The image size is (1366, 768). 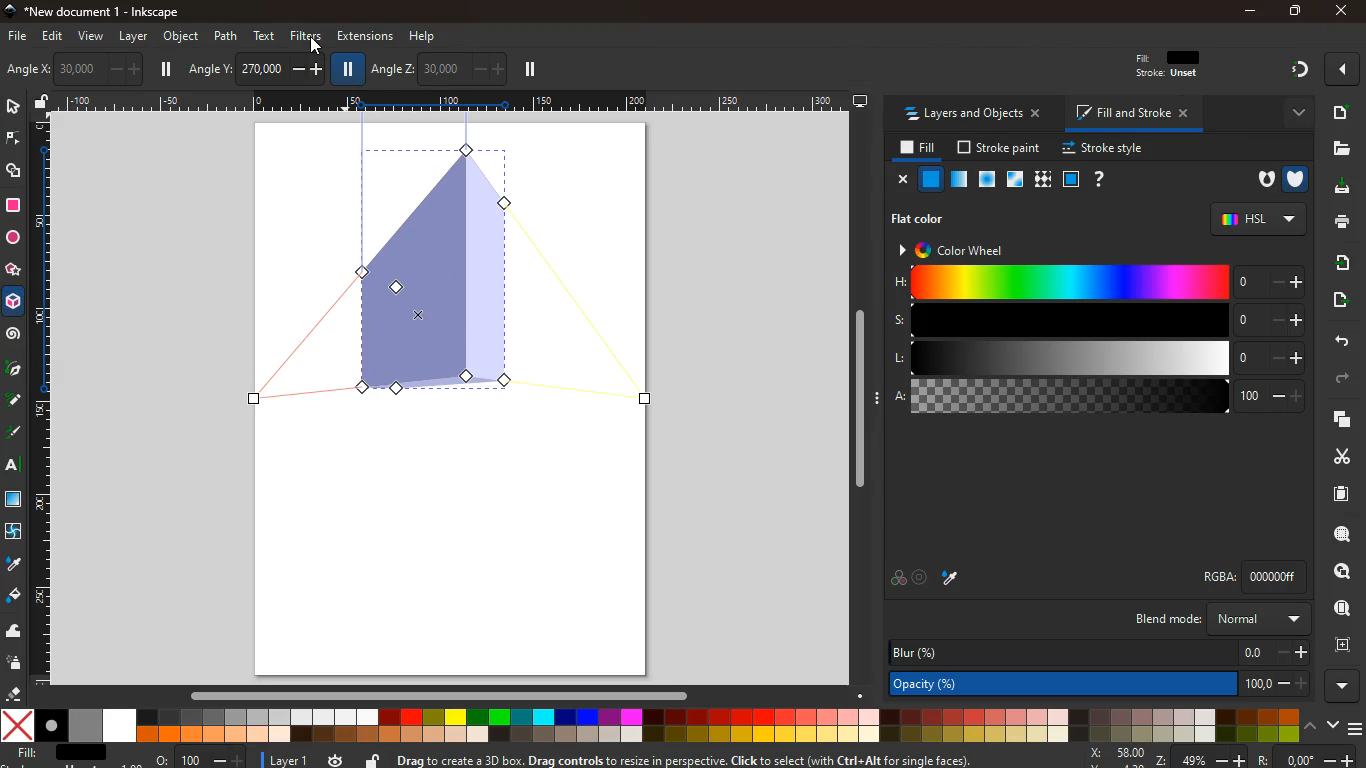 What do you see at coordinates (1332, 494) in the screenshot?
I see `paper` at bounding box center [1332, 494].